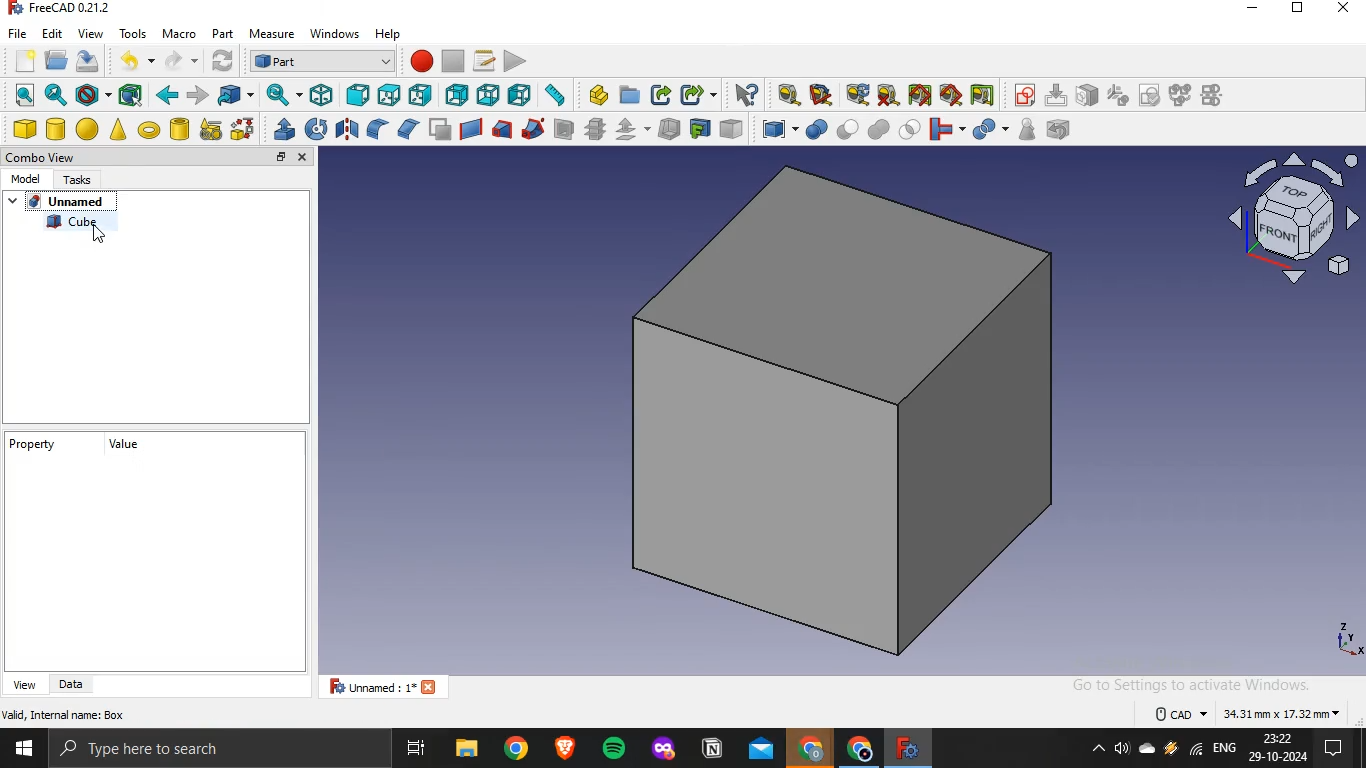  I want to click on cube, so click(24, 129).